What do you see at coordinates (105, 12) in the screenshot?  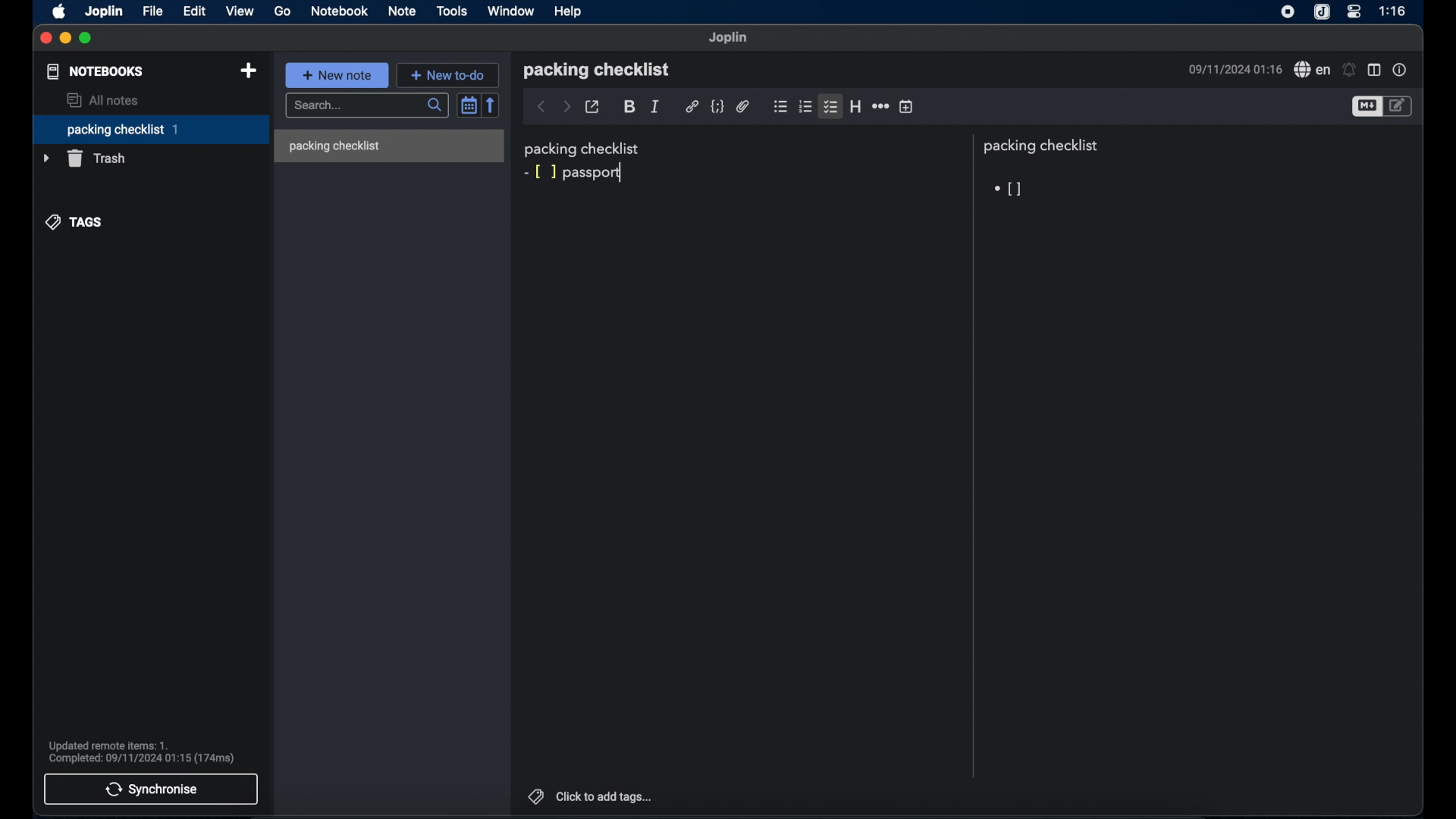 I see `joplin` at bounding box center [105, 12].